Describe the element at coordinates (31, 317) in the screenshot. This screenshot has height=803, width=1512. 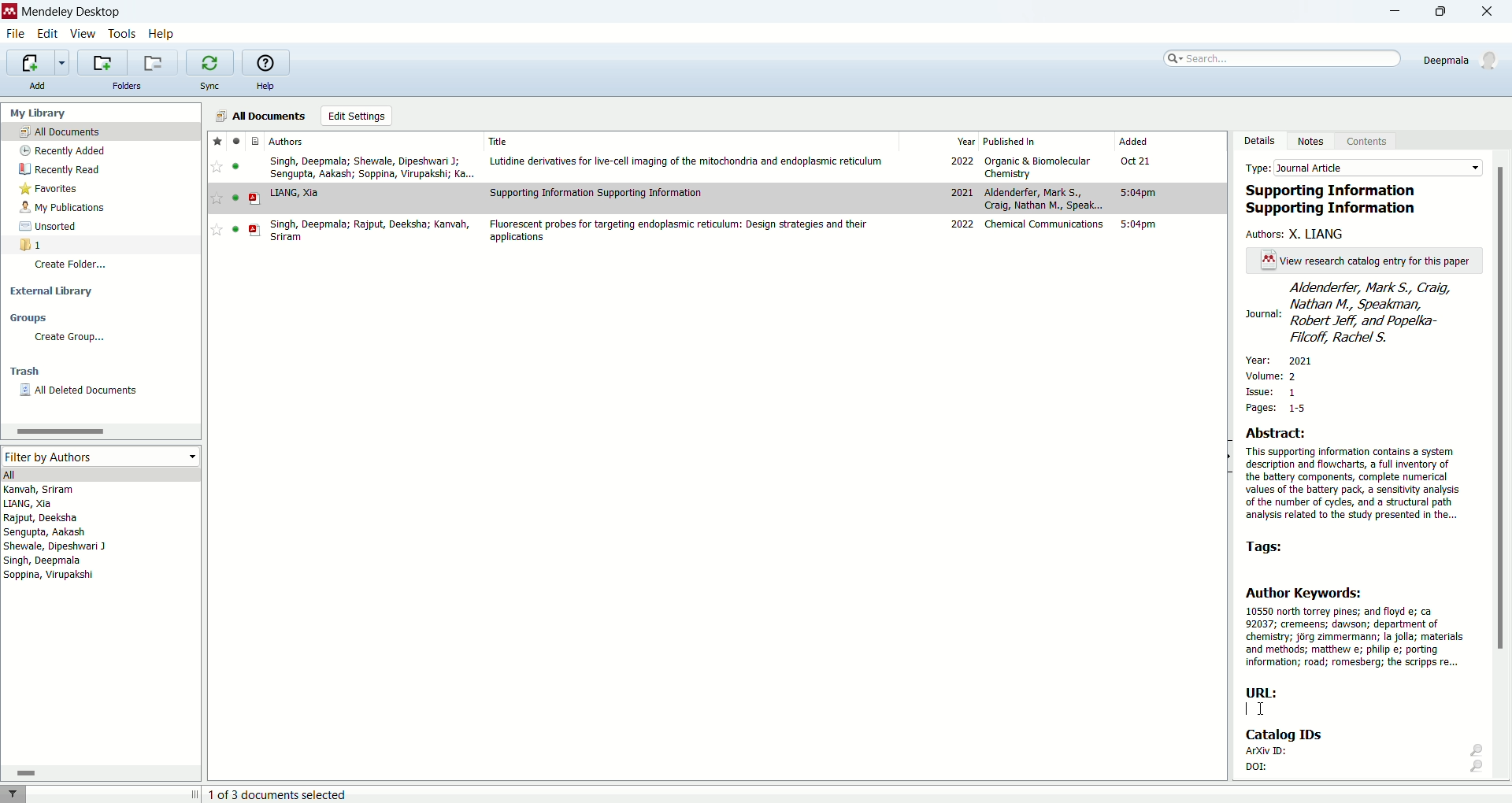
I see `groups` at that location.